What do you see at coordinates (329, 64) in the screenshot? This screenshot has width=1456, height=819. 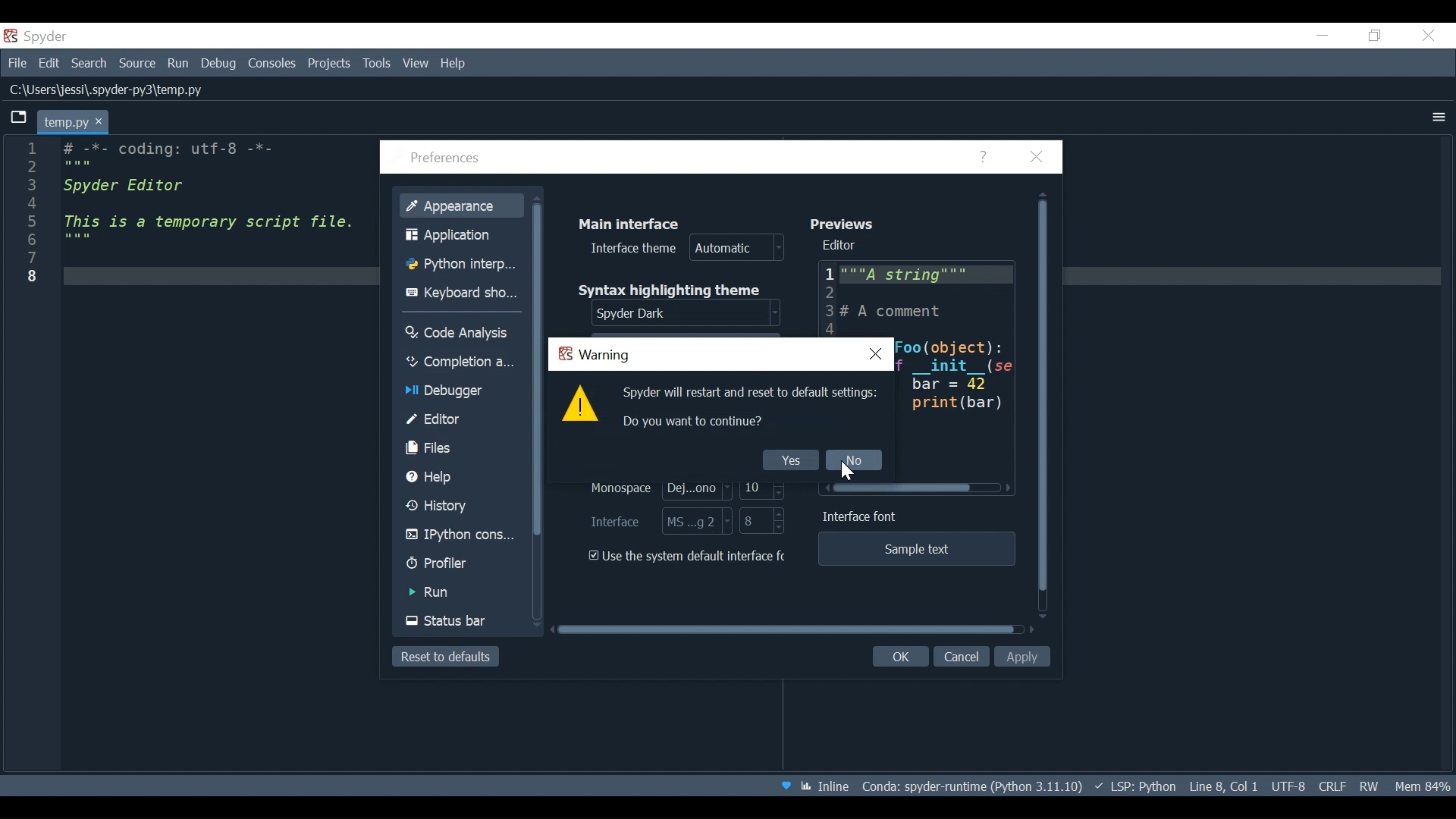 I see `Projects` at bounding box center [329, 64].